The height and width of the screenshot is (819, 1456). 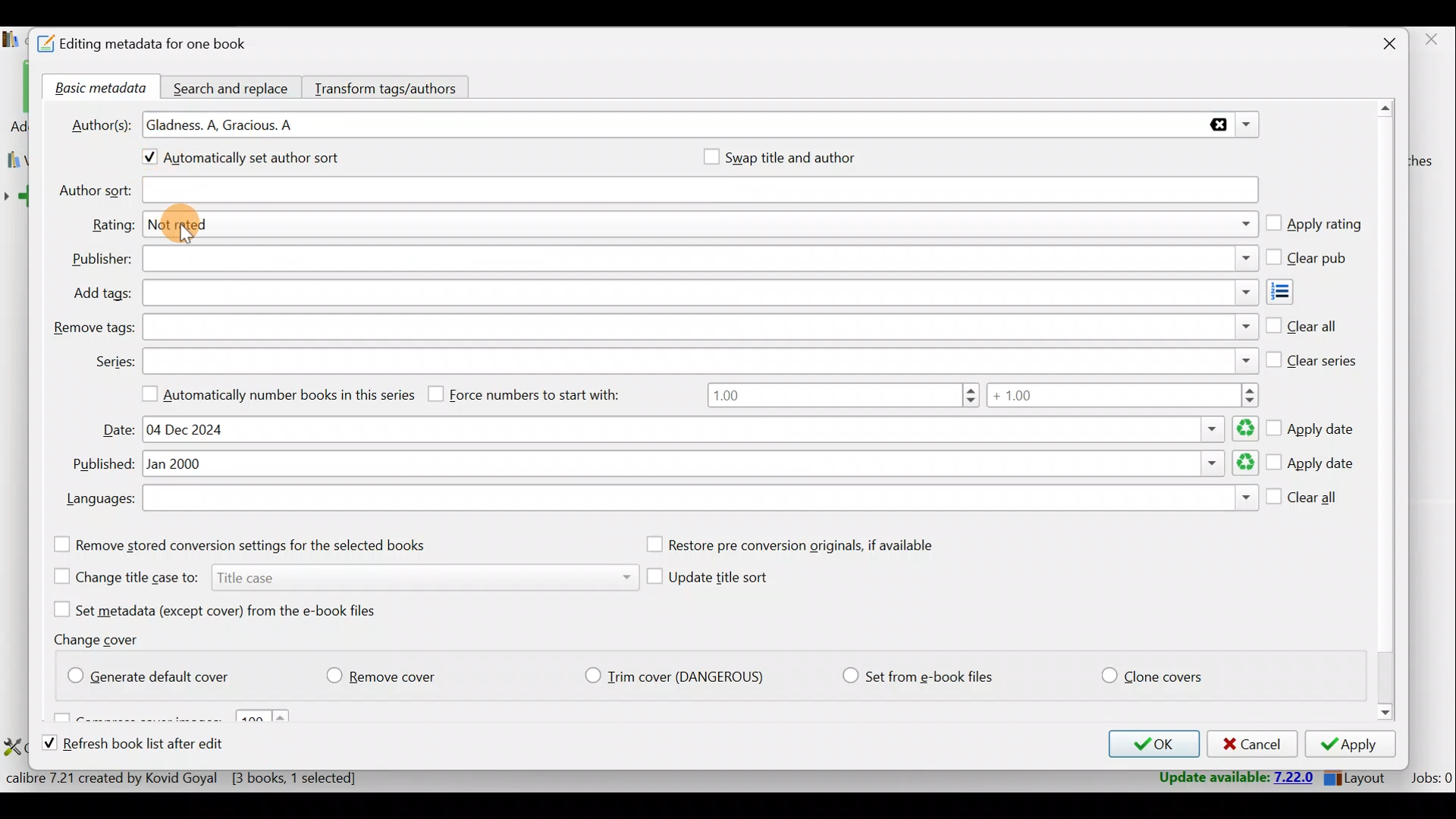 I want to click on Close, so click(x=1382, y=45).